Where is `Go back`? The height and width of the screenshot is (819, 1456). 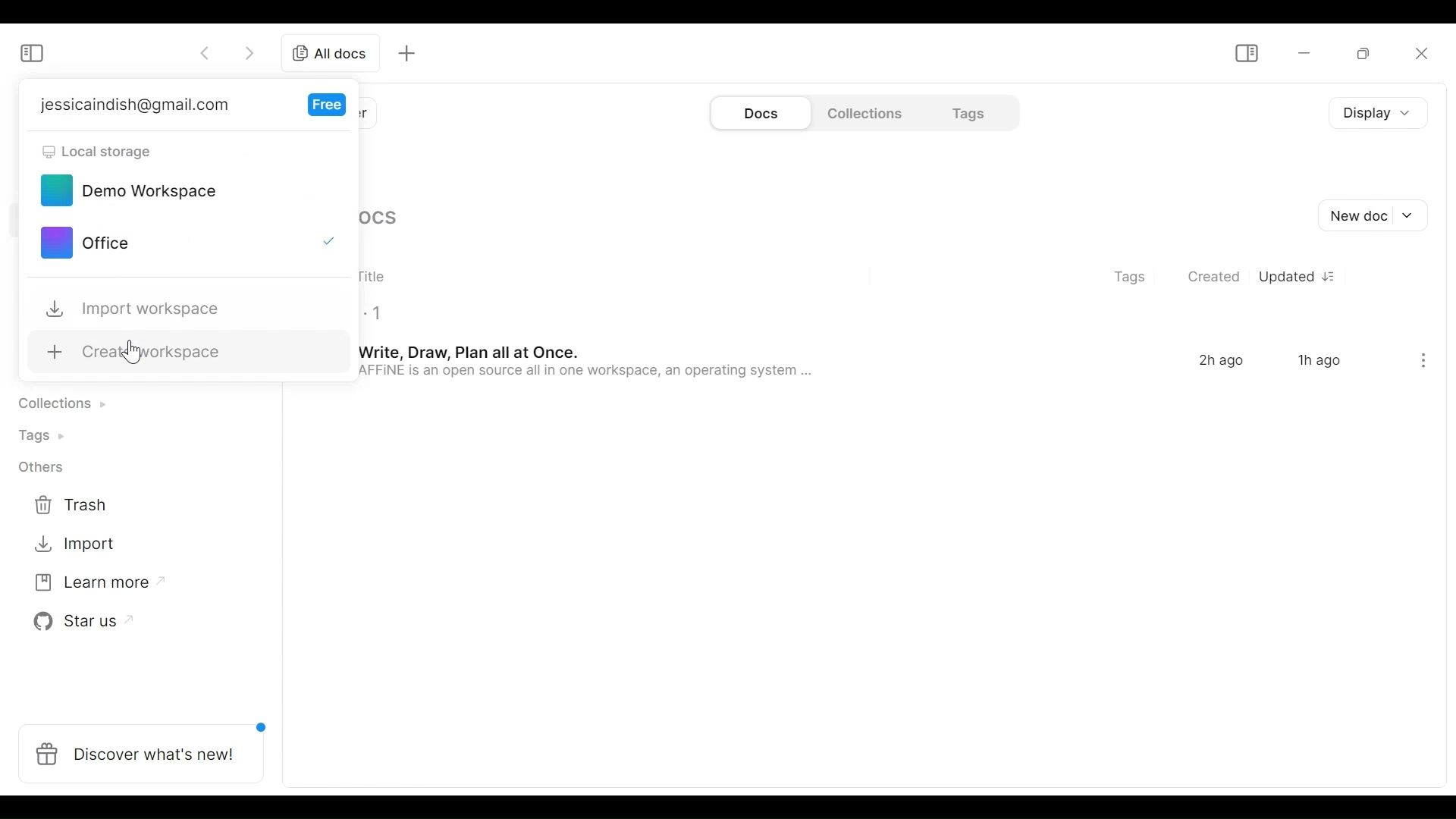 Go back is located at coordinates (206, 55).